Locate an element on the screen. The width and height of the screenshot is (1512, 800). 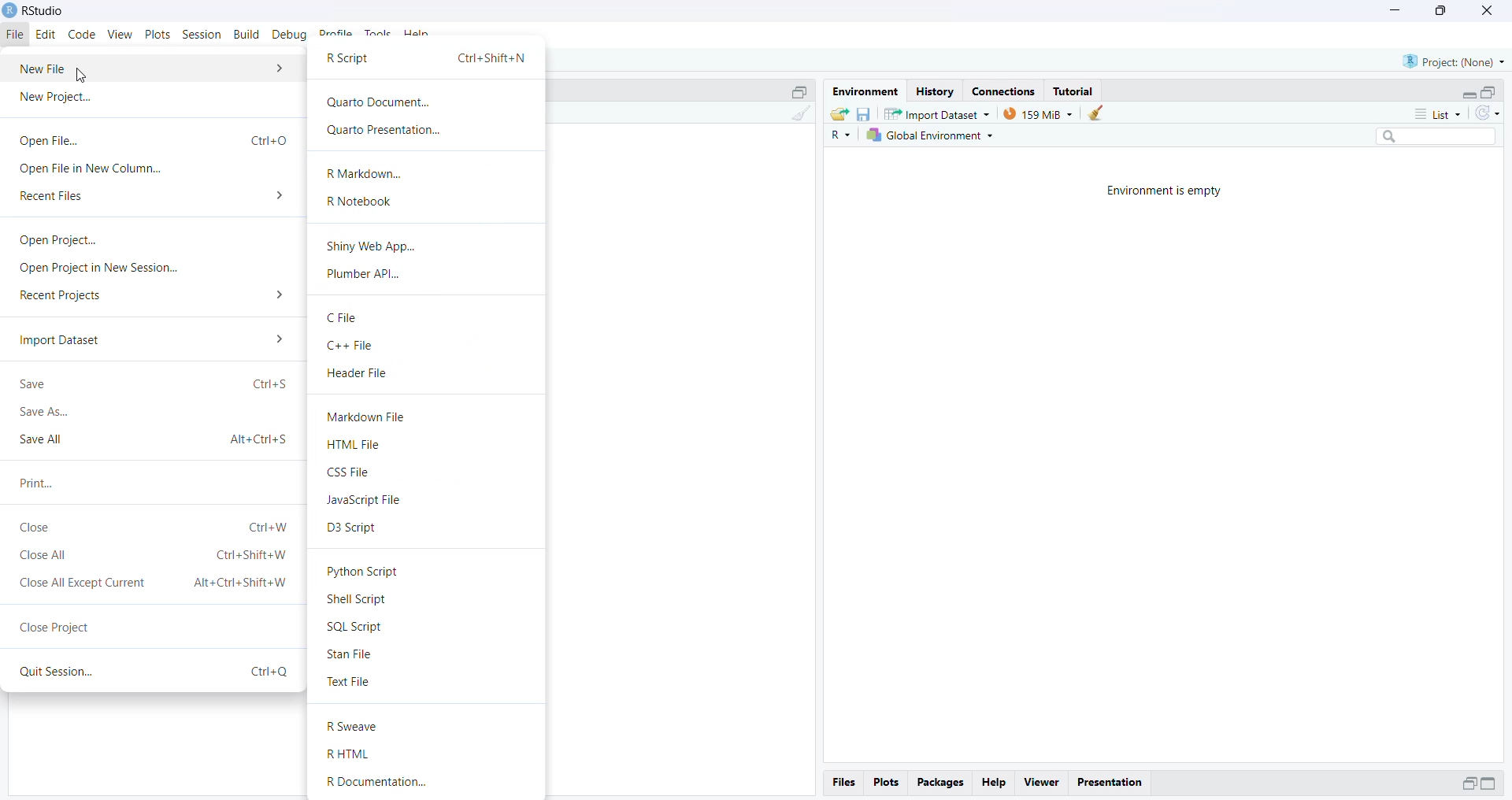
Quarto Document... is located at coordinates (380, 103).